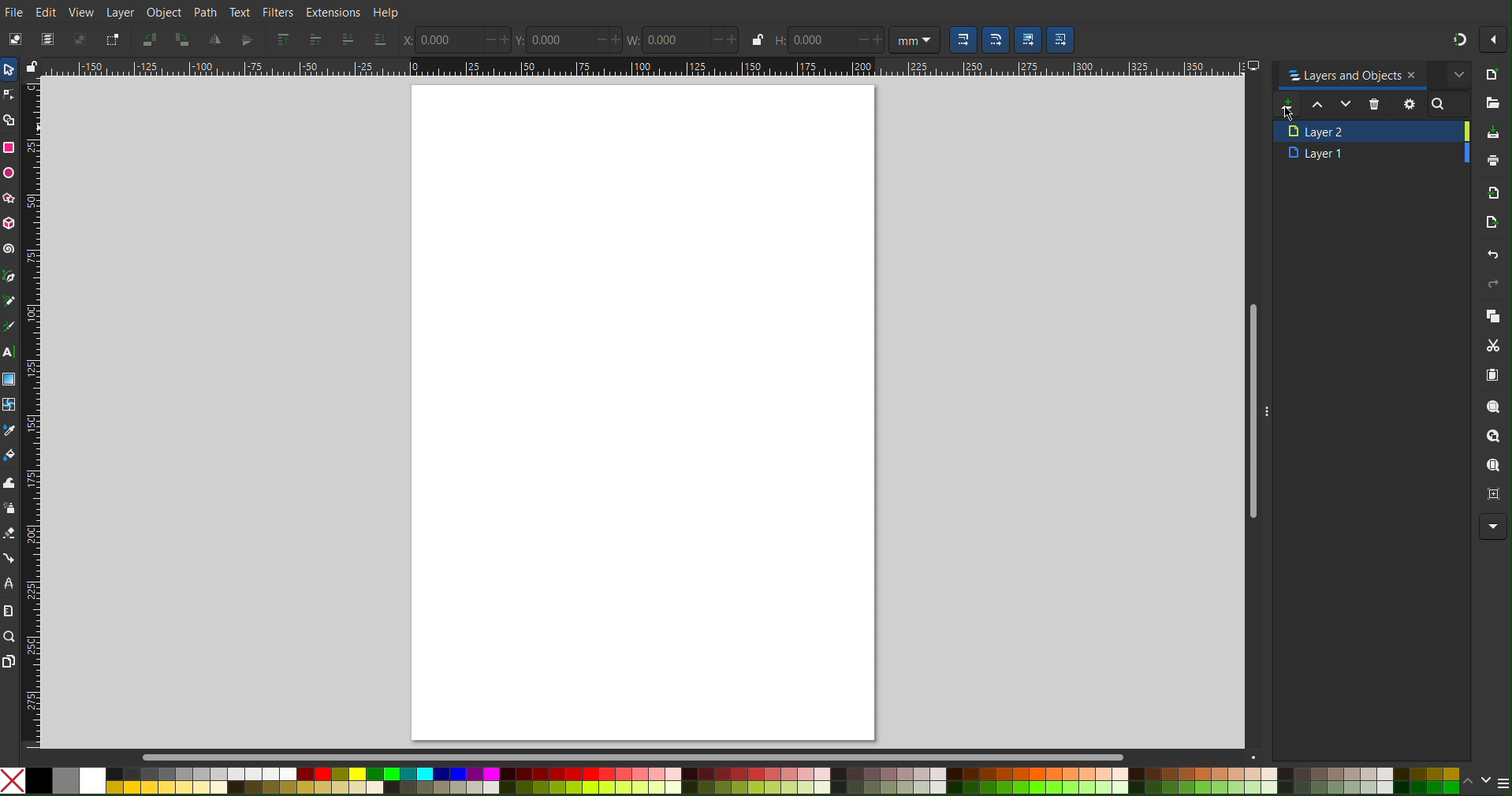 This screenshot has height=796, width=1512. Describe the element at coordinates (1447, 103) in the screenshot. I see `Search` at that location.